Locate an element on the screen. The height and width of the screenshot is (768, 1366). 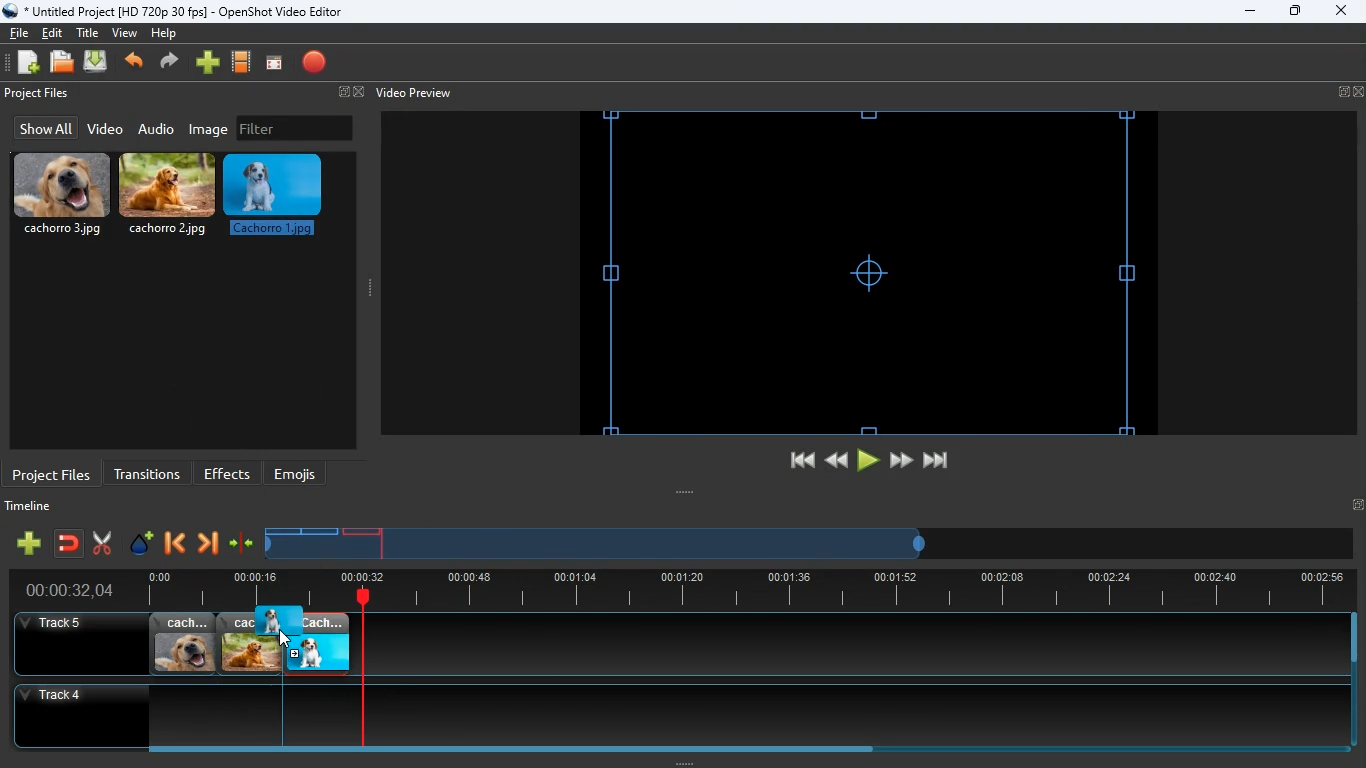
cachorro.2.jpg is located at coordinates (169, 199).